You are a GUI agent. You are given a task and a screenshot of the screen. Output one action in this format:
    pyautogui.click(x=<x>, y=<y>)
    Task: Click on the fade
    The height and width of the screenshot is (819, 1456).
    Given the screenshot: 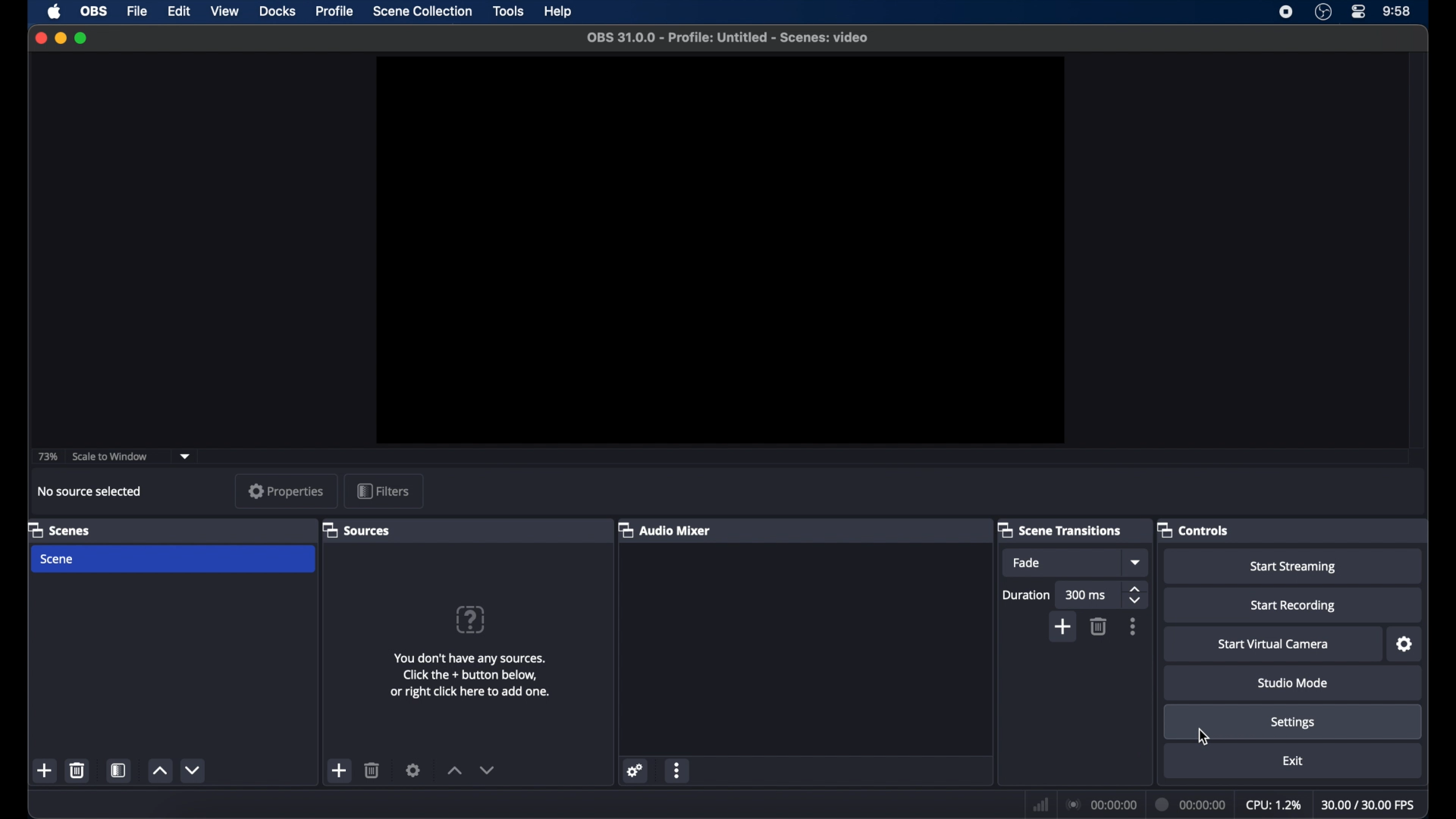 What is the action you would take?
    pyautogui.click(x=1028, y=563)
    